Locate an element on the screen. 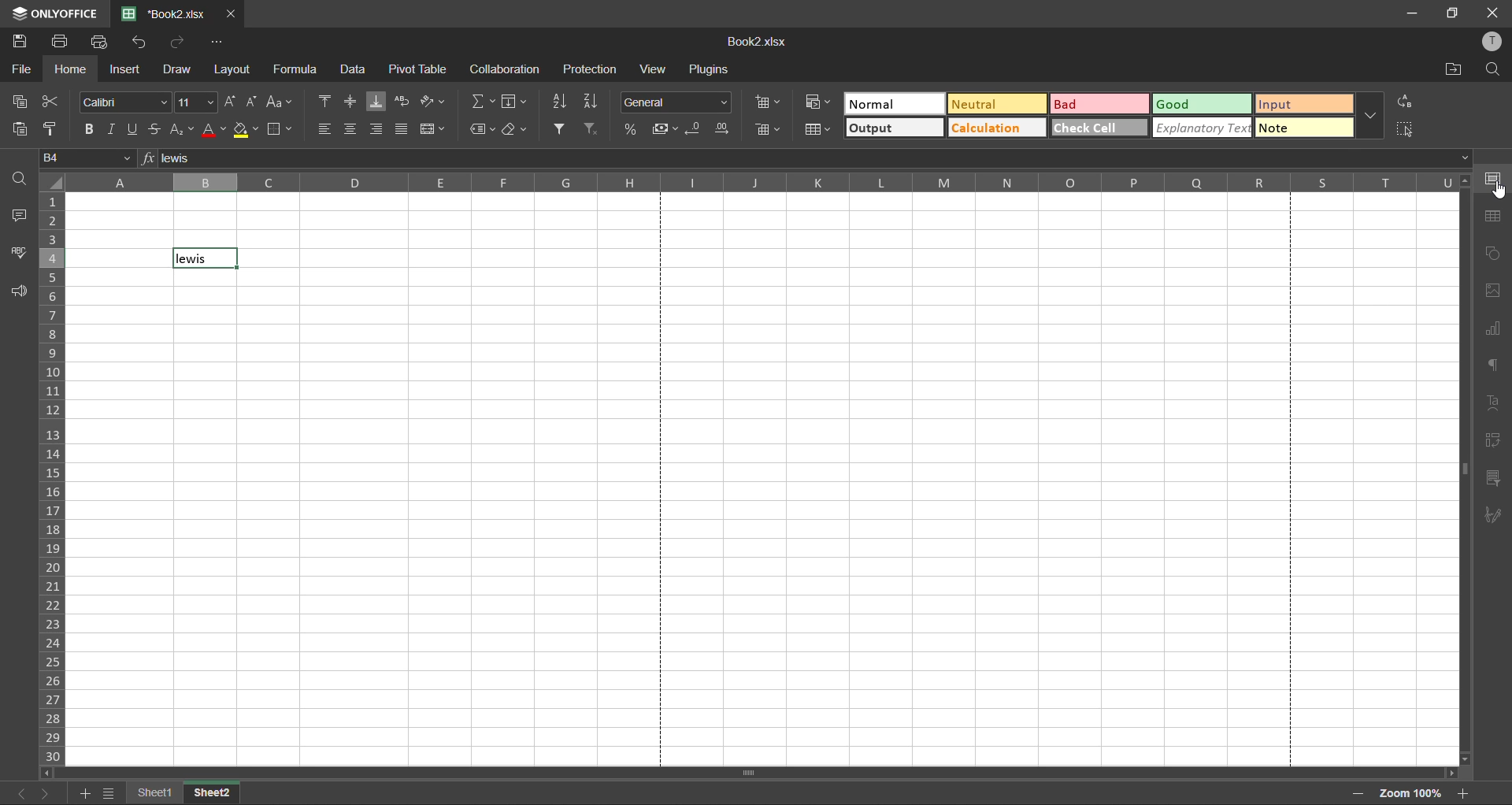 The image size is (1512, 805). row numbers is located at coordinates (52, 478).